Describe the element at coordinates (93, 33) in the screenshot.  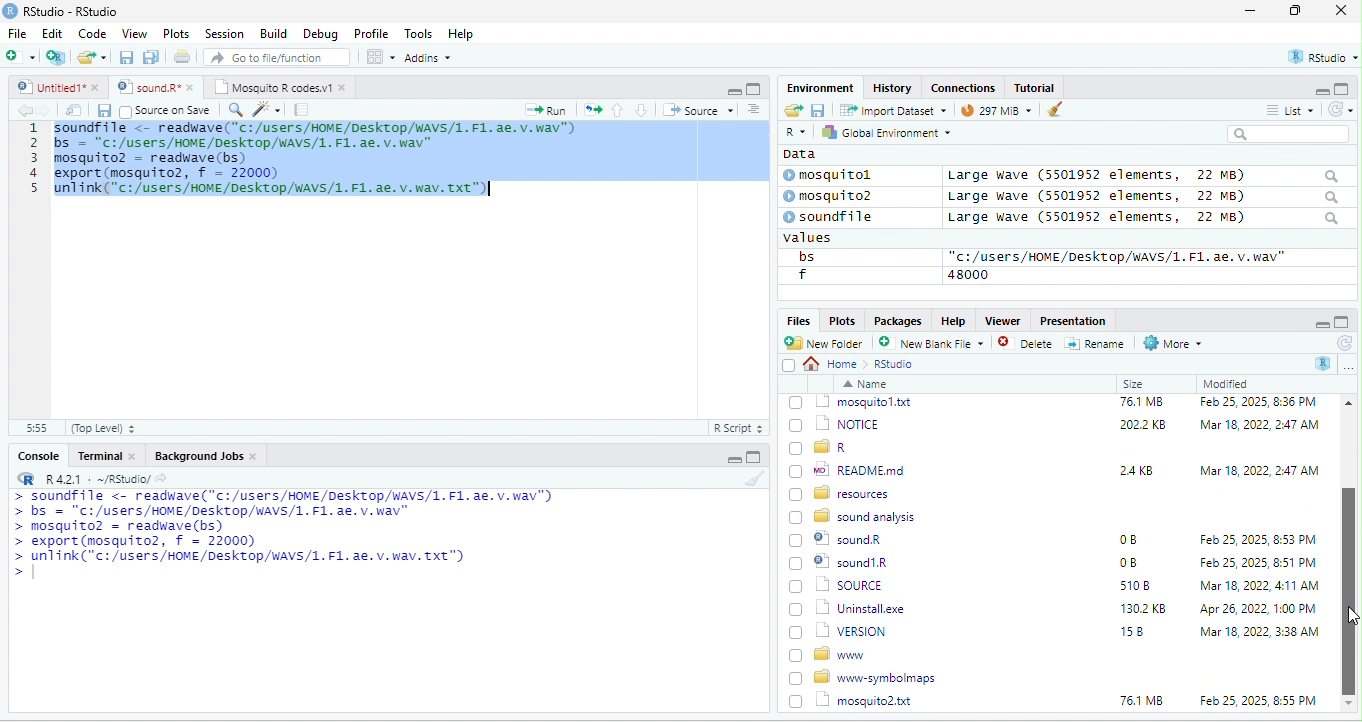
I see `Code` at that location.